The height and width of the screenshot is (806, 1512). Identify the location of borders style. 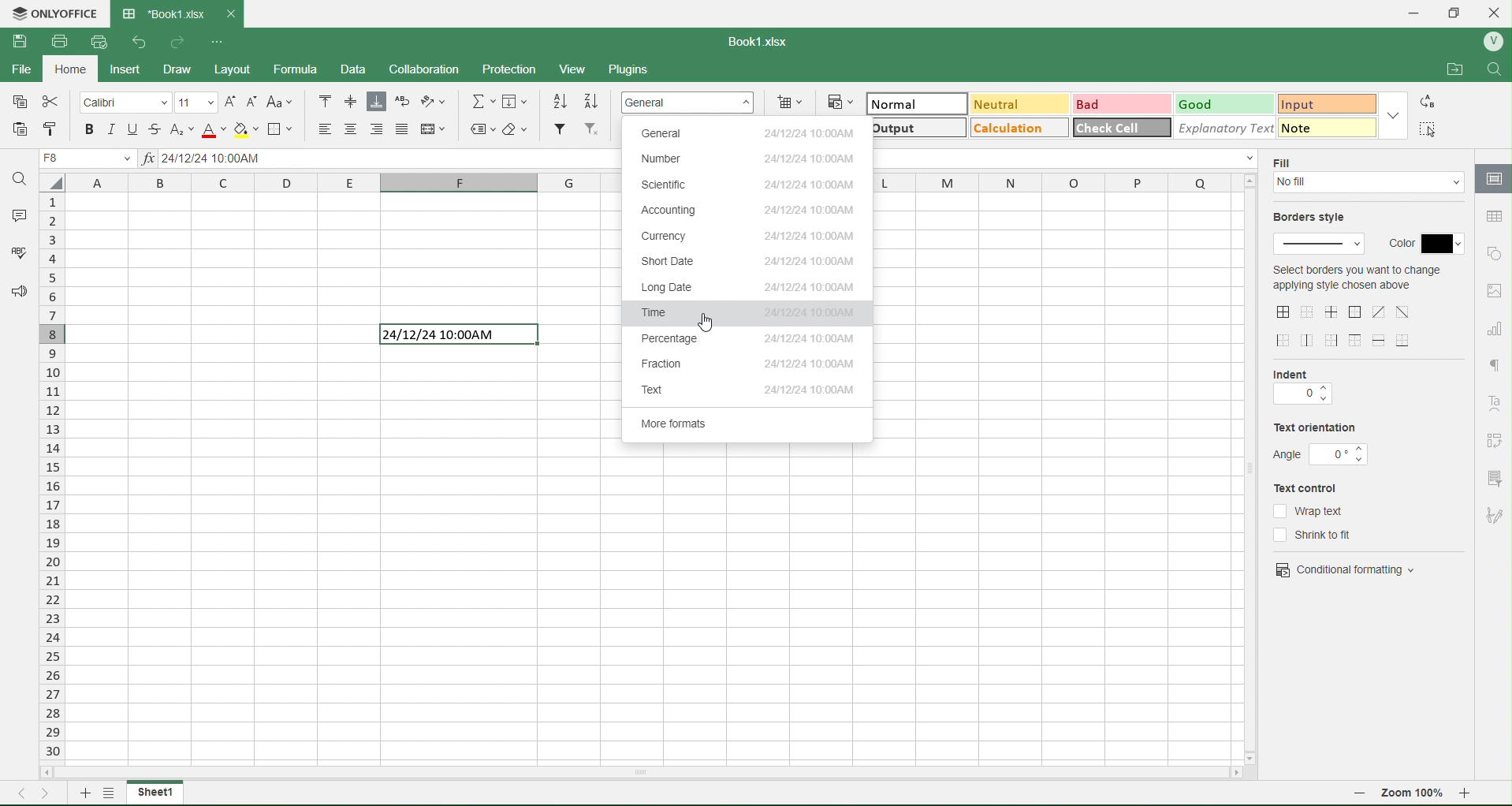
(1315, 218).